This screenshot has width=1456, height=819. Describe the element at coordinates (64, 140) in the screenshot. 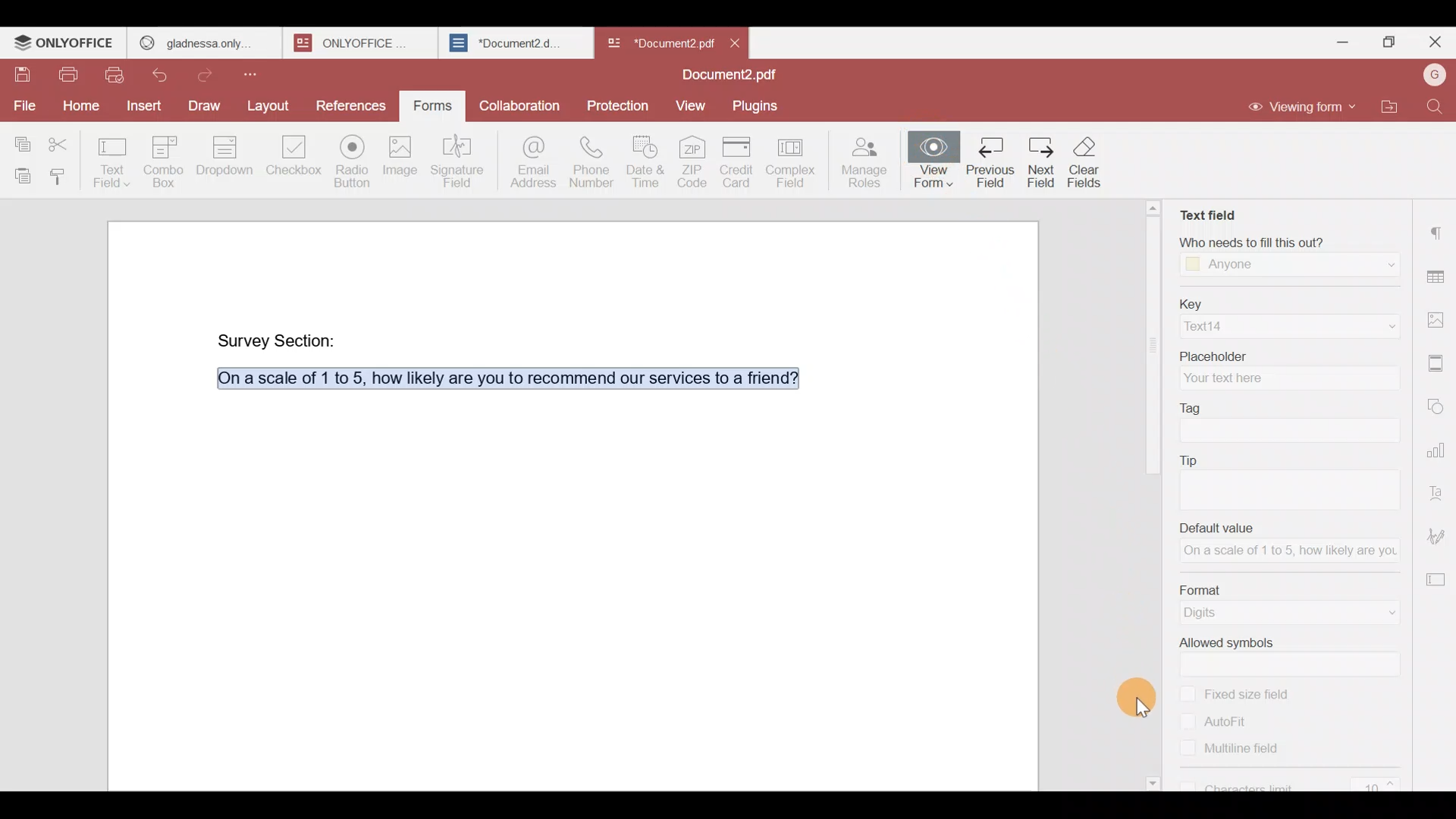

I see `Cut` at that location.